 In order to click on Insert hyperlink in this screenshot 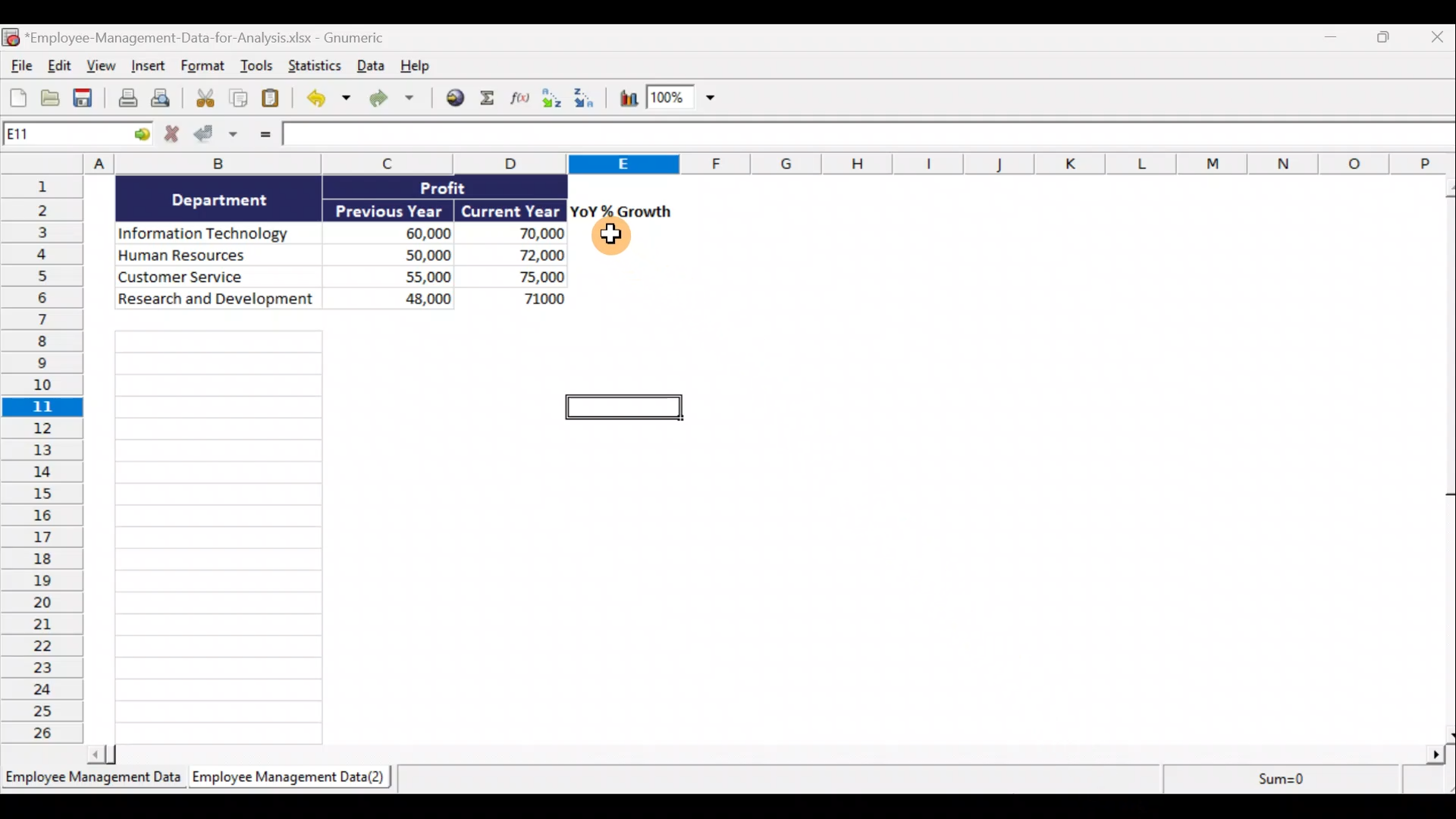, I will do `click(454, 99)`.